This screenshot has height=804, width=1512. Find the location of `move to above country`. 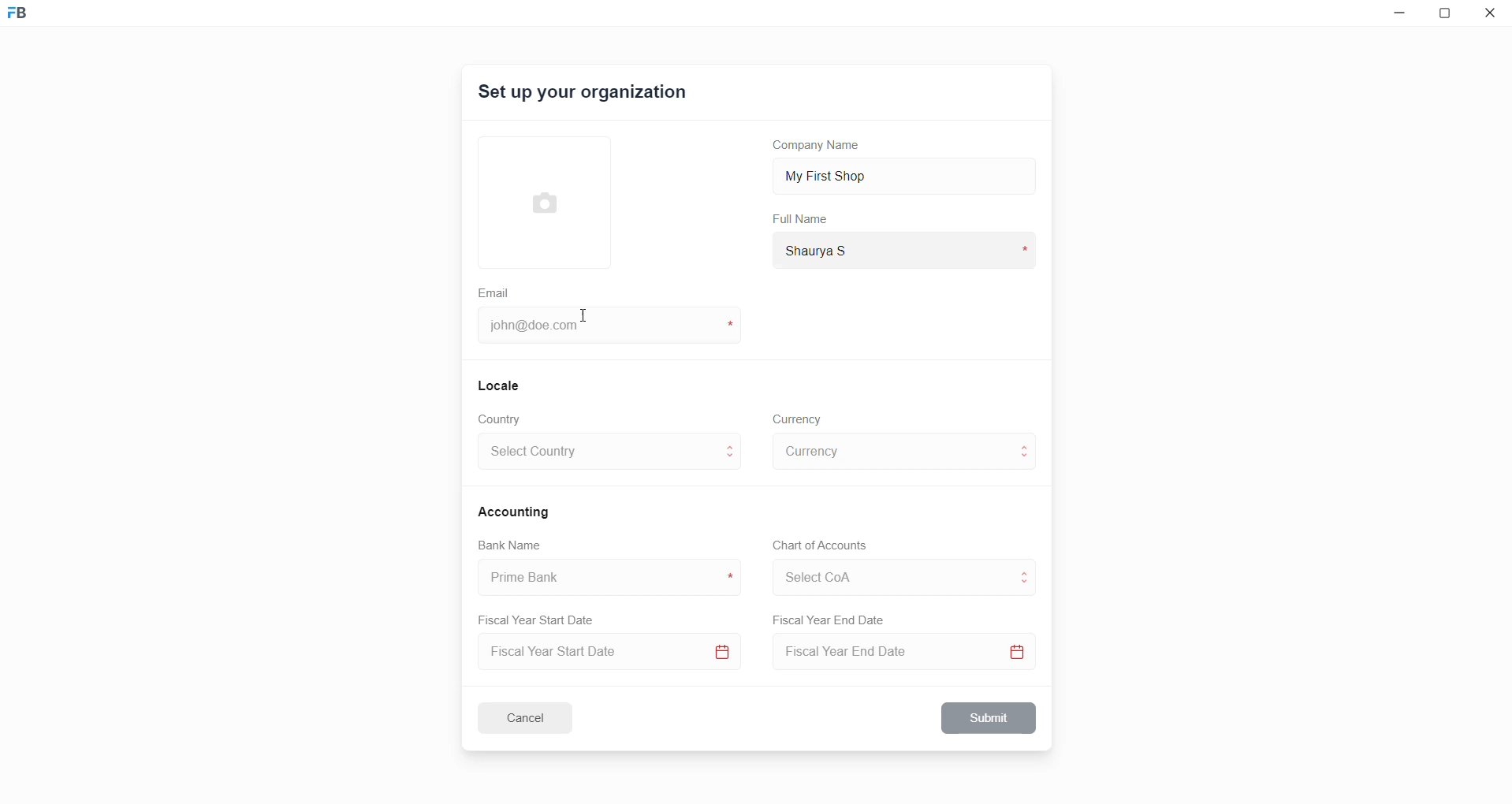

move to above country is located at coordinates (733, 445).